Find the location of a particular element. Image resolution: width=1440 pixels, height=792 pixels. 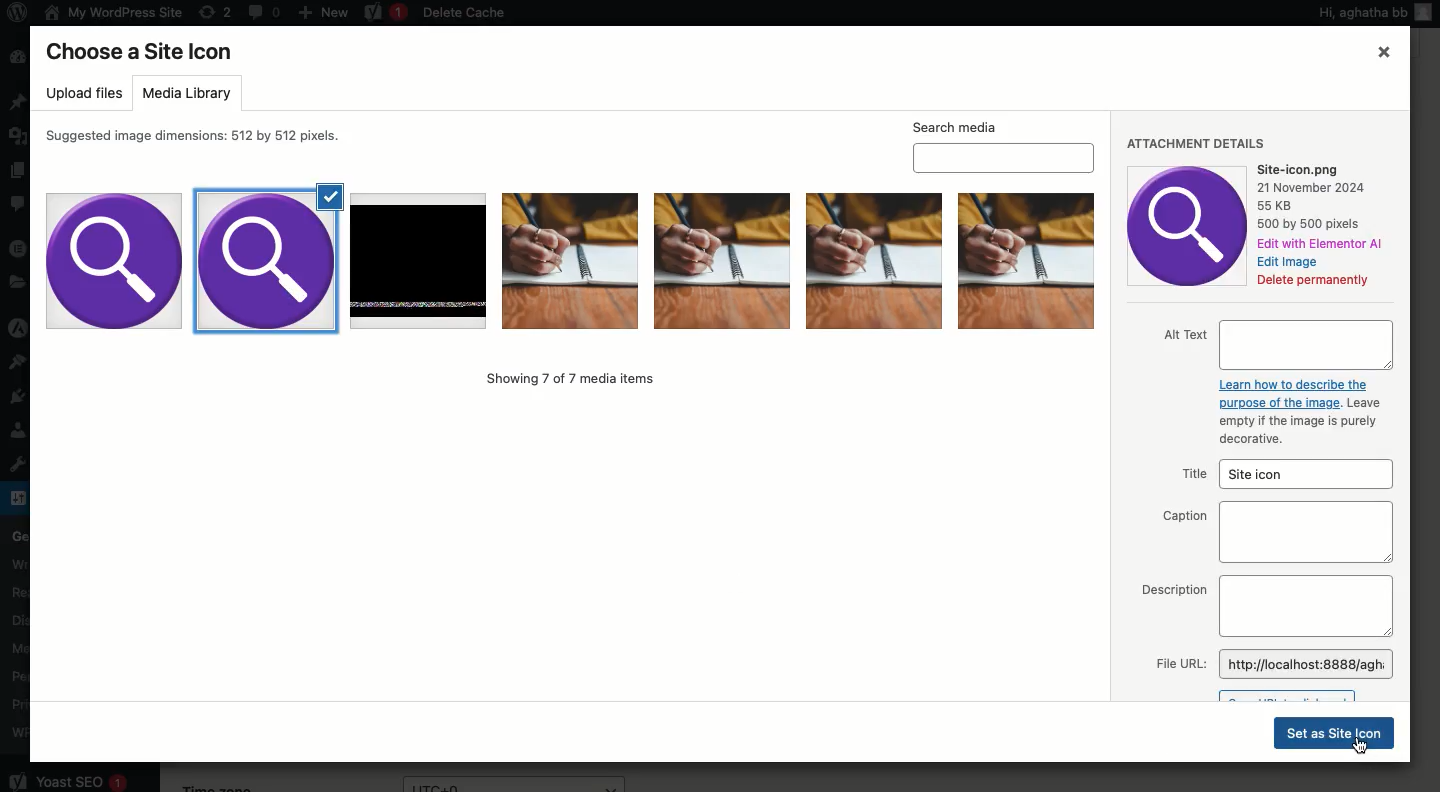

Plugins 2 is located at coordinates (25, 402).